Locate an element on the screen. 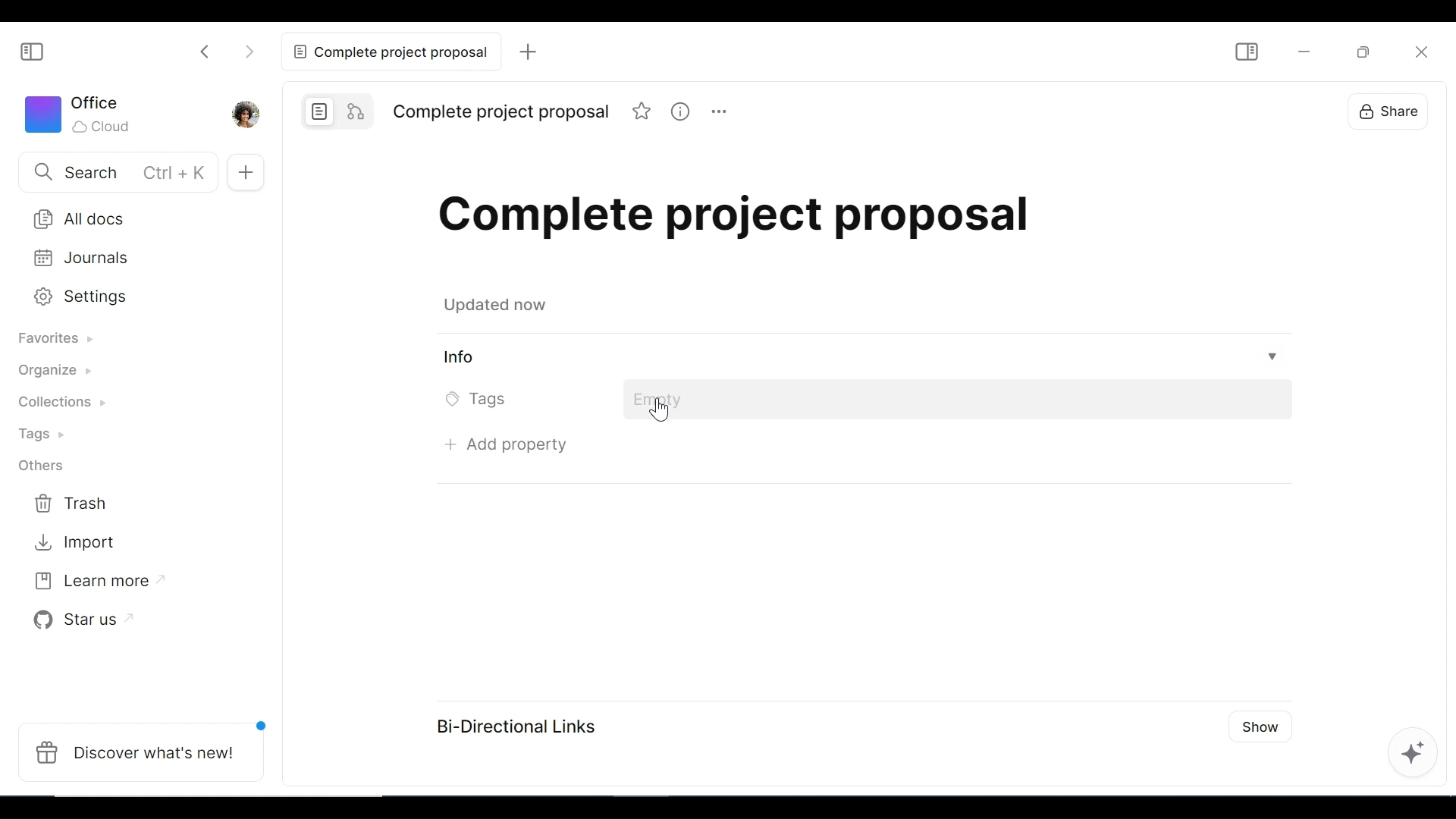 The width and height of the screenshot is (1456, 819). Tags Field is located at coordinates (962, 400).